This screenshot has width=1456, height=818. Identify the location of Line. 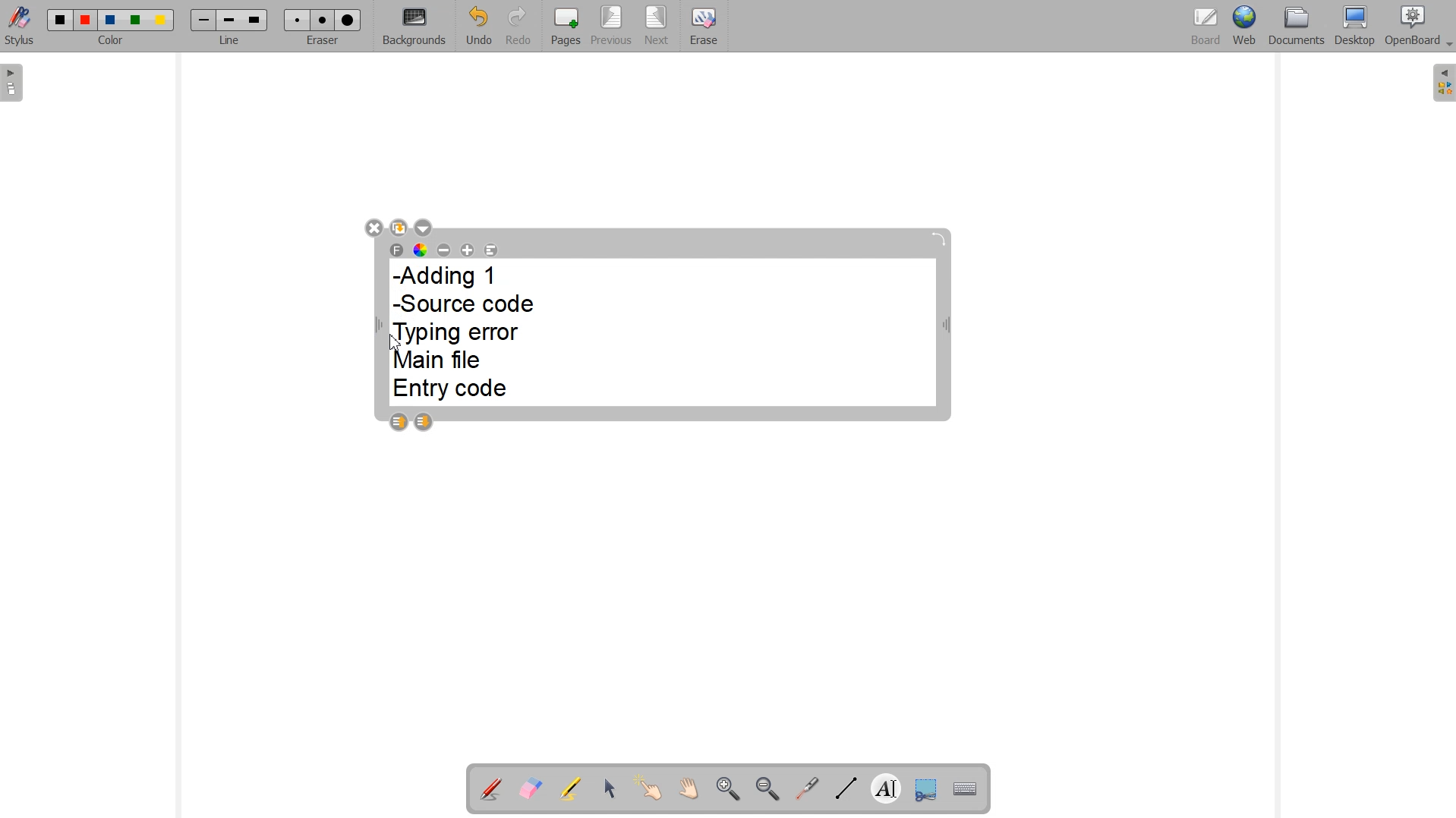
(230, 41).